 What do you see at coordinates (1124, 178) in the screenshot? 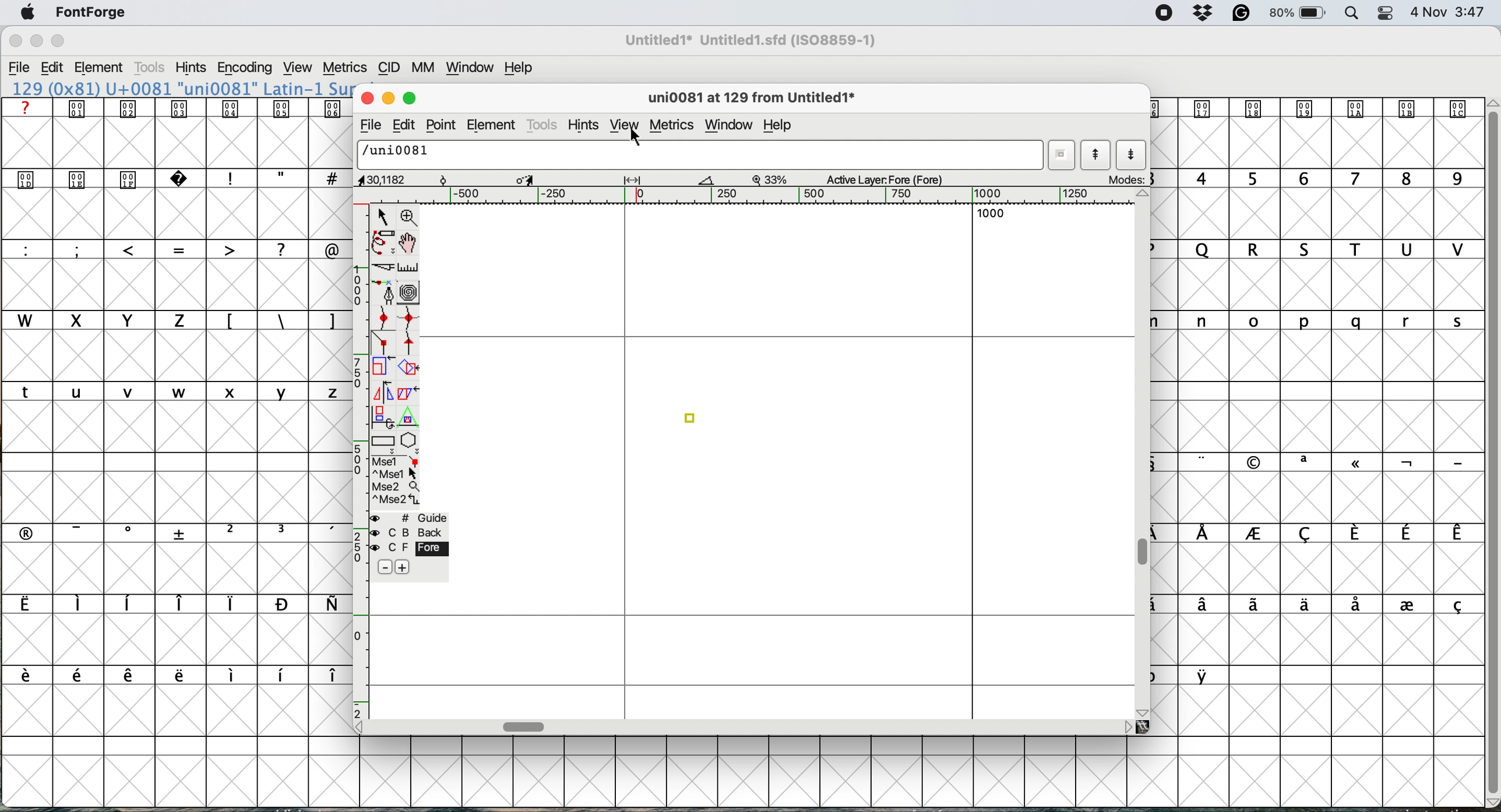
I see `modes` at bounding box center [1124, 178].